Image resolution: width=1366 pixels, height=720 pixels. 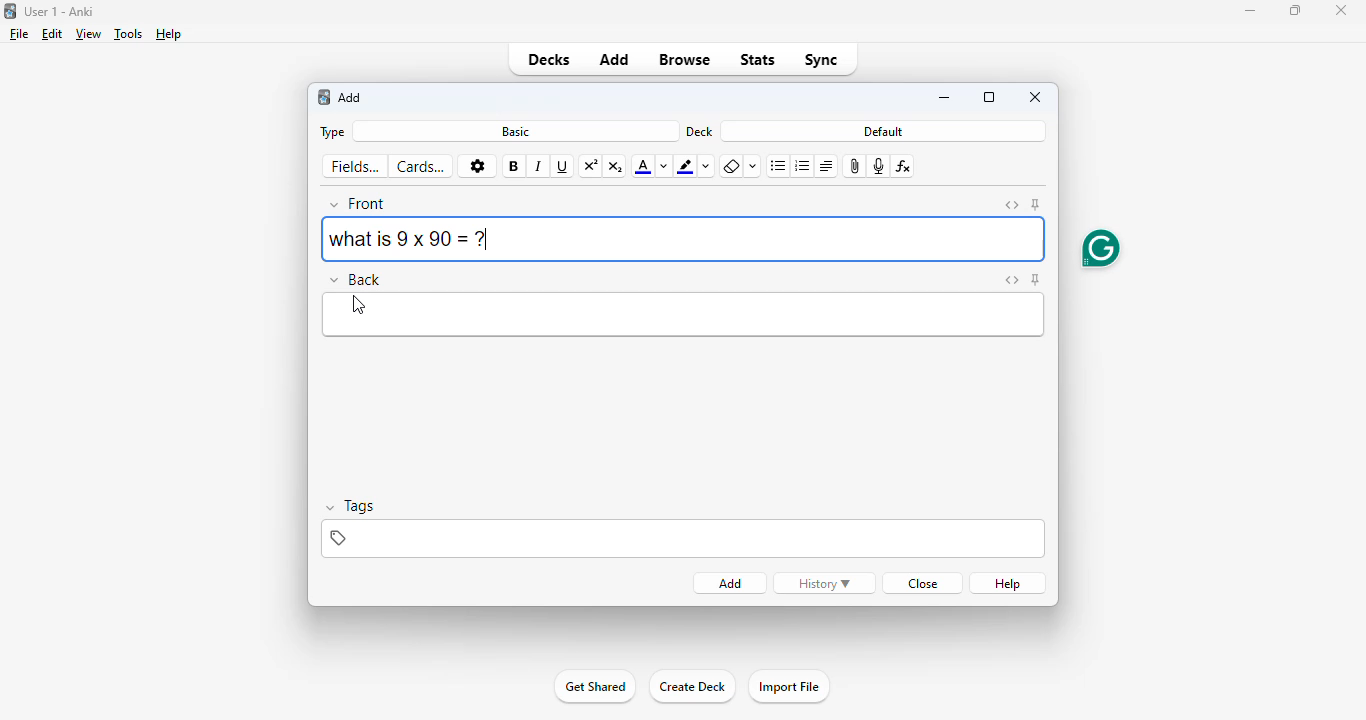 I want to click on title, so click(x=60, y=11).